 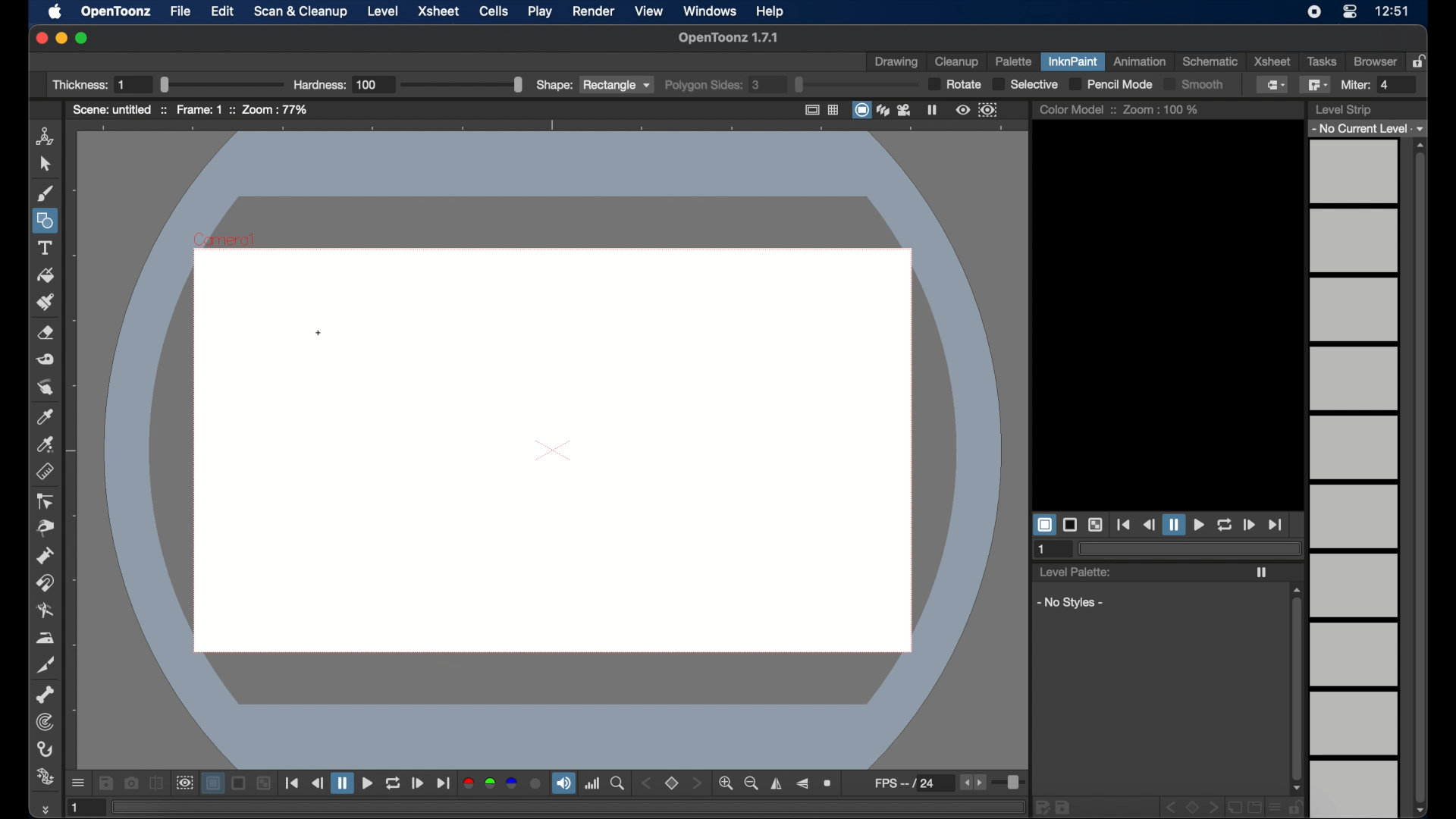 What do you see at coordinates (45, 333) in the screenshot?
I see `eraser tool` at bounding box center [45, 333].